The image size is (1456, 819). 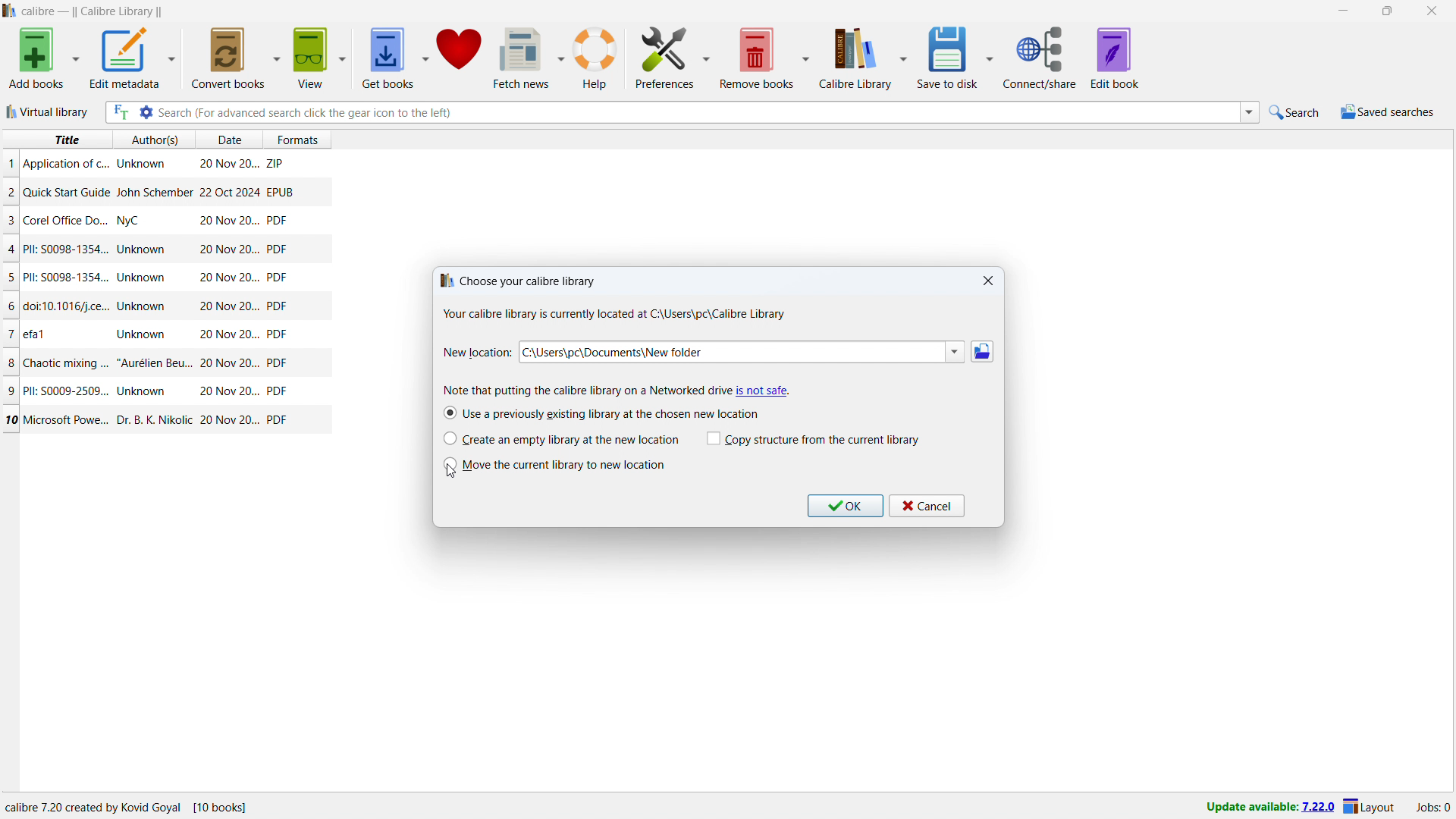 I want to click on Date, so click(x=227, y=335).